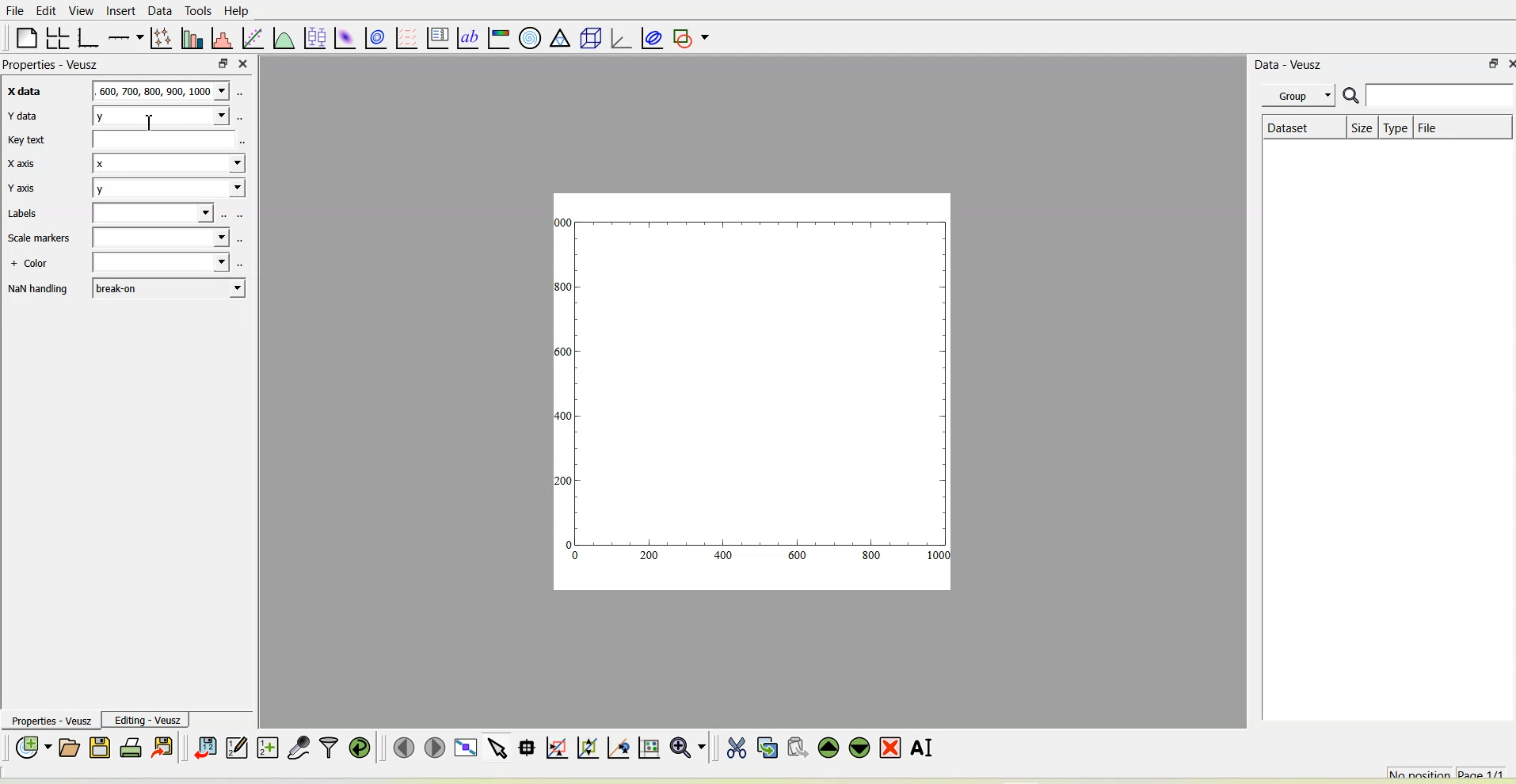 Image resolution: width=1516 pixels, height=784 pixels. I want to click on select using dataset browser, so click(240, 238).